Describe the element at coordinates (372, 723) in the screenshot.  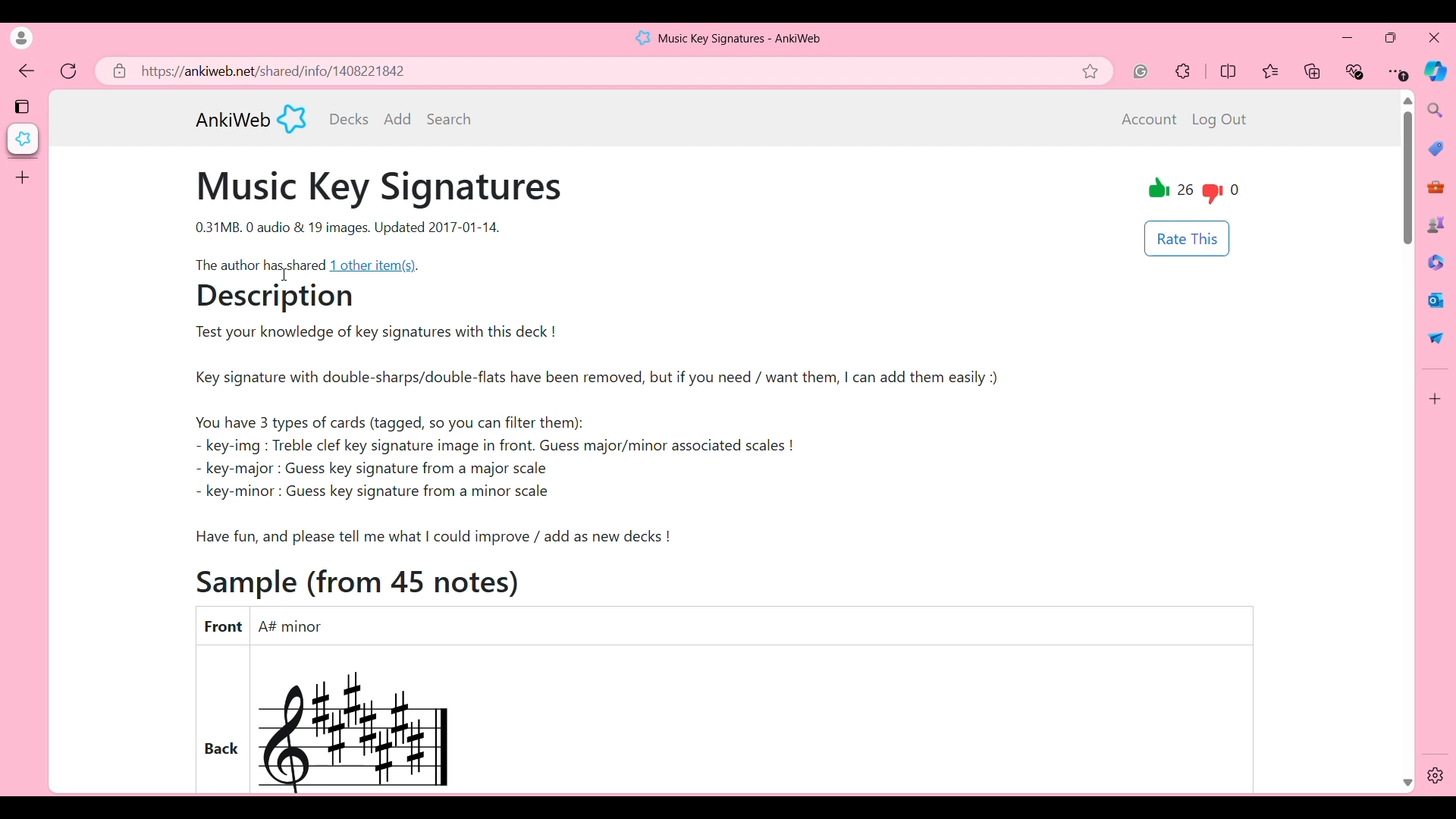
I see `sample A# minor` at that location.